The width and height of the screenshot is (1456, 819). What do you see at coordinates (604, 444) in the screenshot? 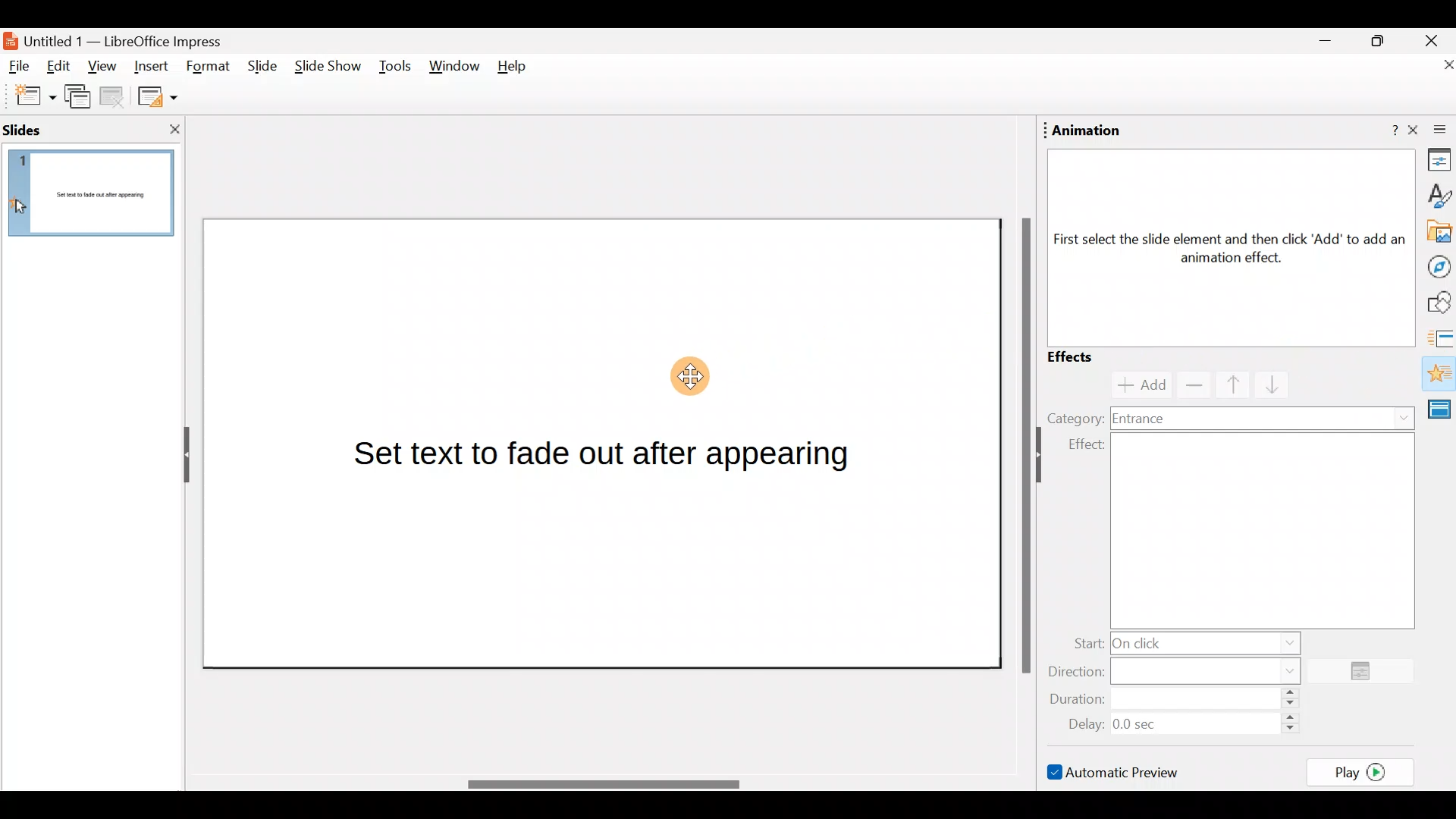
I see `Presentation slide` at bounding box center [604, 444].